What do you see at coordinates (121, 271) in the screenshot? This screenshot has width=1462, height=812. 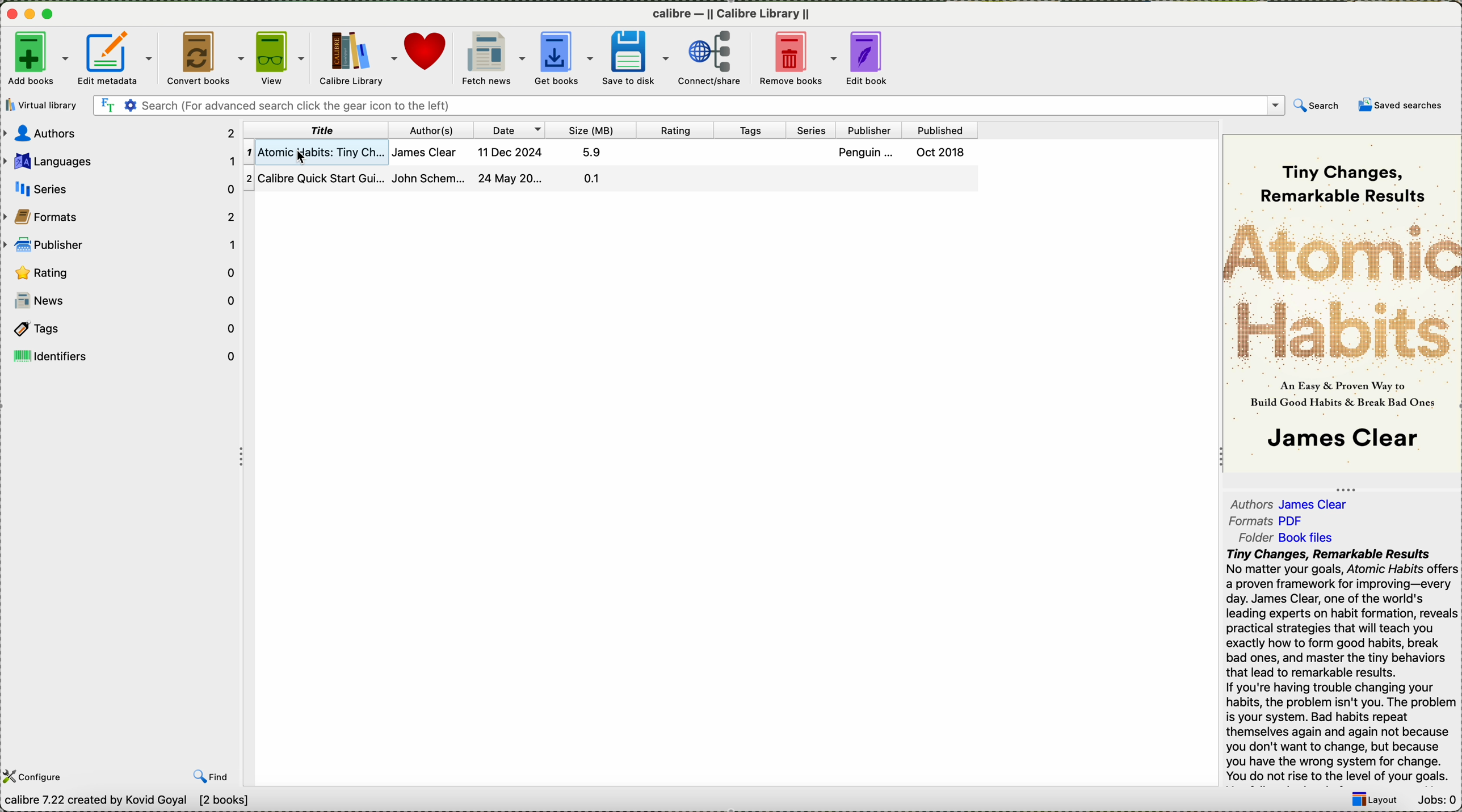 I see `rating` at bounding box center [121, 271].